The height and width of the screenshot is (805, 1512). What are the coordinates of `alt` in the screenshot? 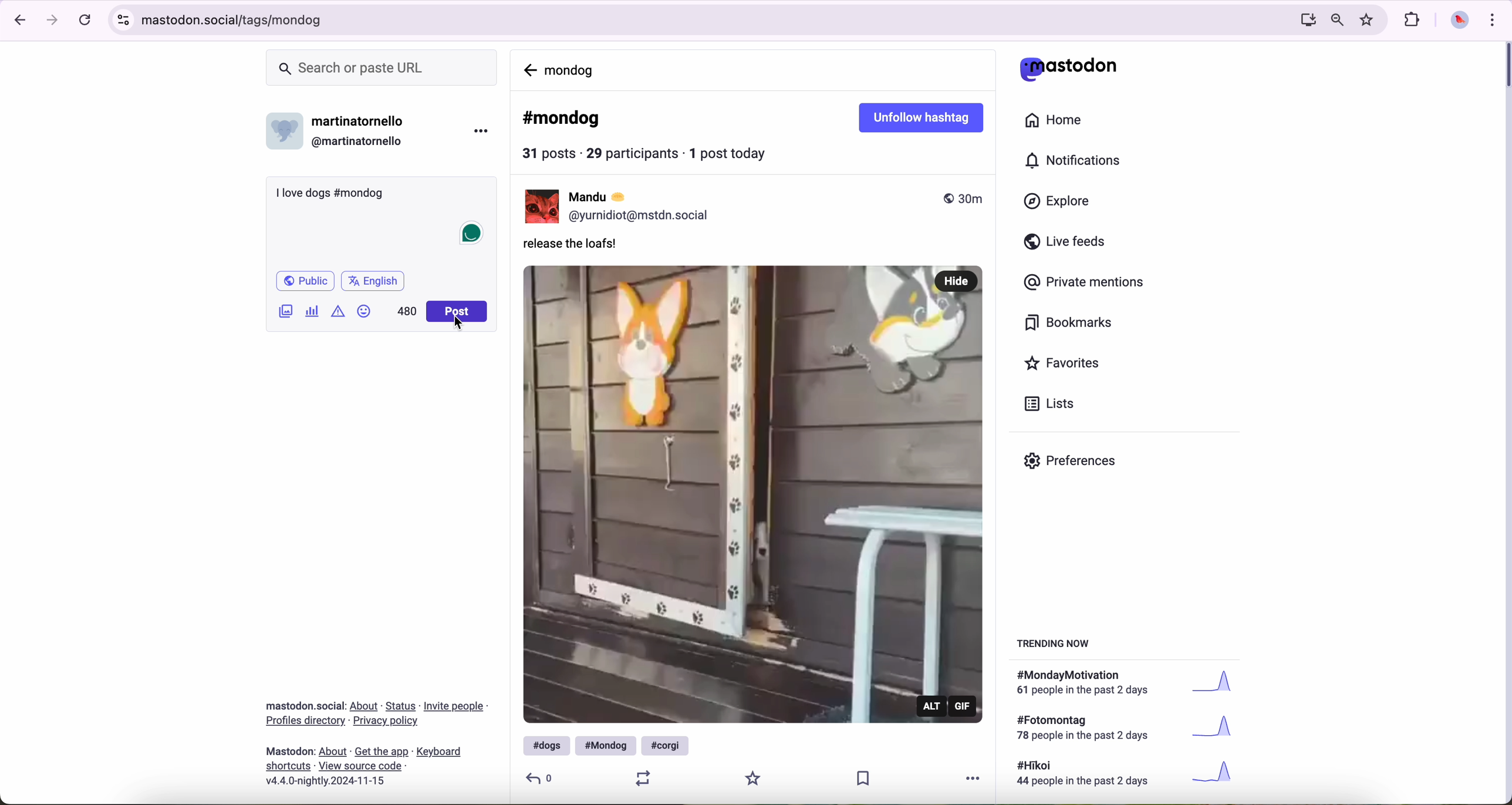 It's located at (933, 705).